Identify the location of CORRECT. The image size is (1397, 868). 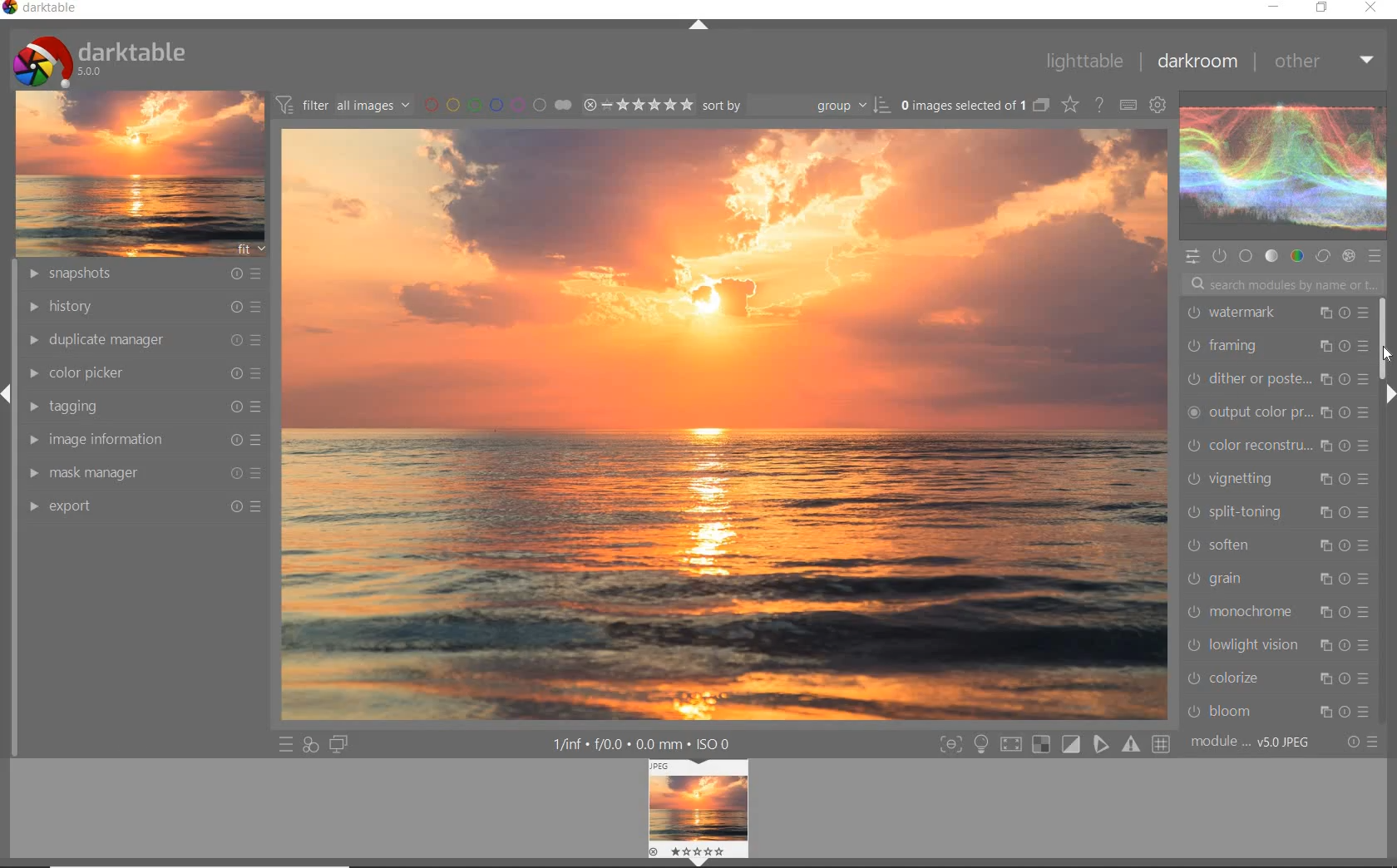
(1323, 257).